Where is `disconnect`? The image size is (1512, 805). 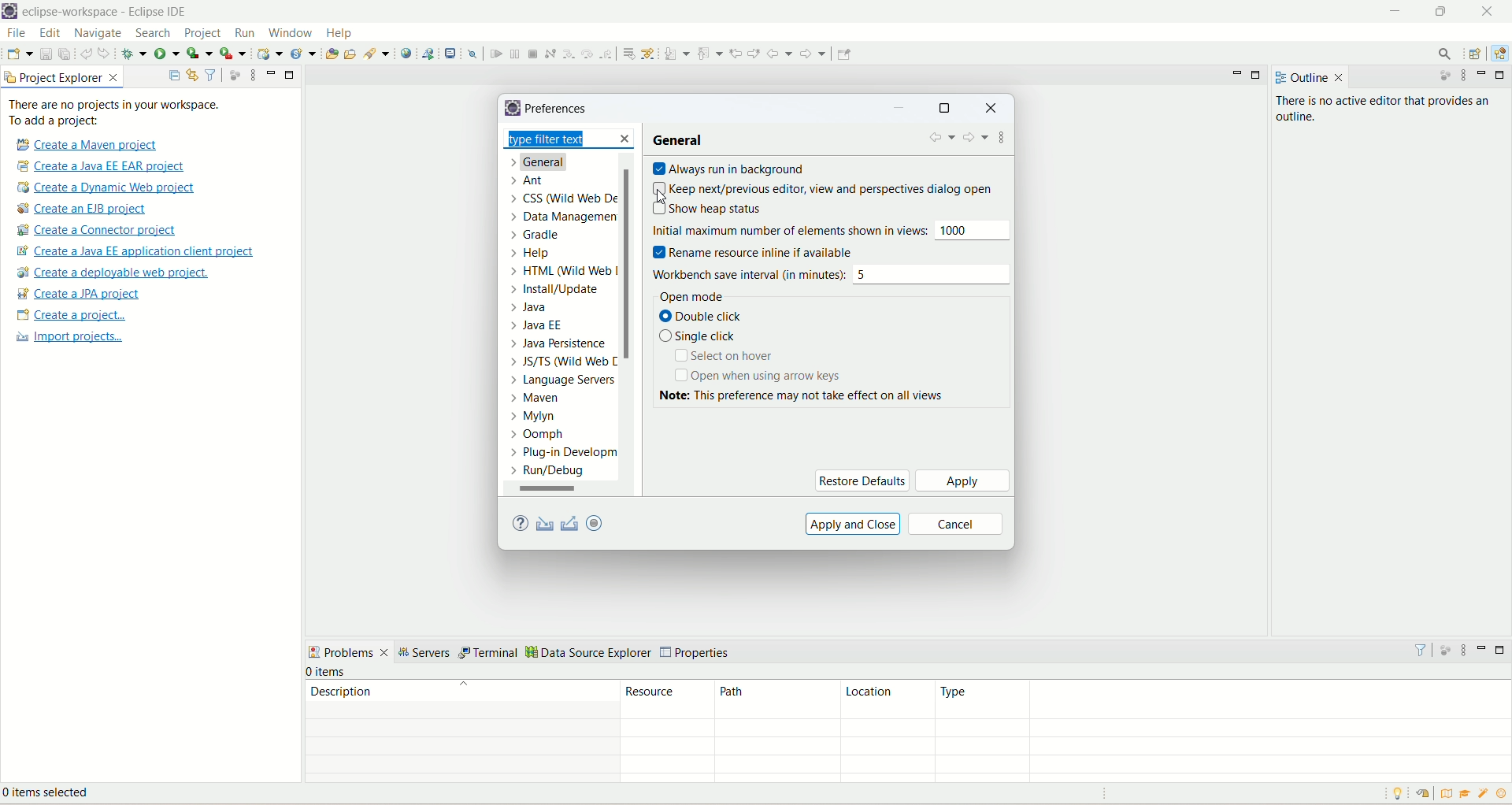
disconnect is located at coordinates (550, 53).